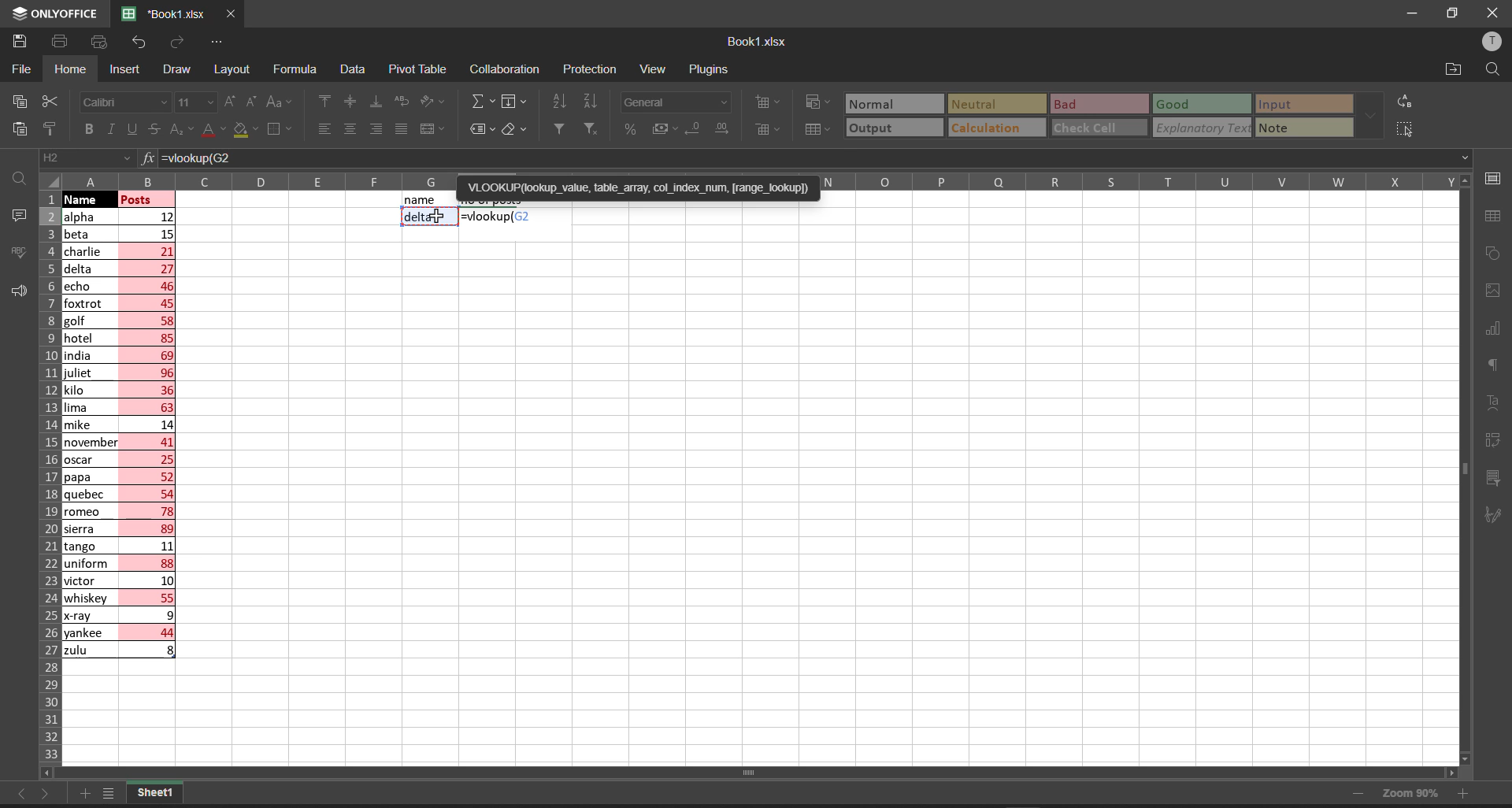 The height and width of the screenshot is (808, 1512). Describe the element at coordinates (124, 70) in the screenshot. I see `insert` at that location.